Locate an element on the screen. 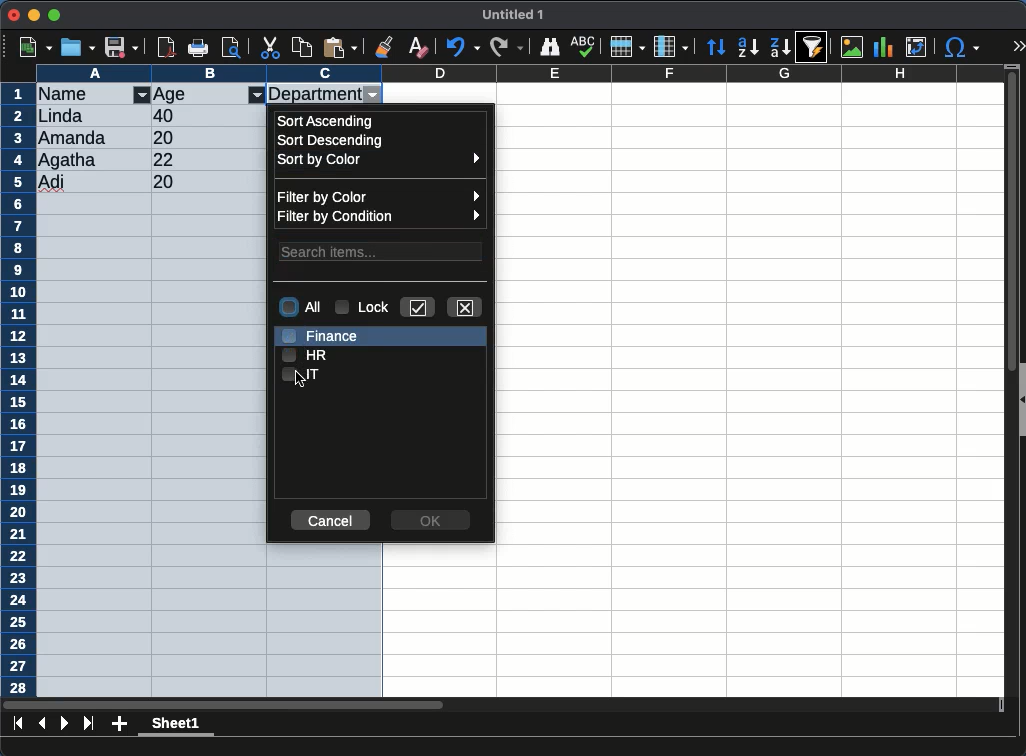 The height and width of the screenshot is (756, 1026). filter is located at coordinates (257, 95).